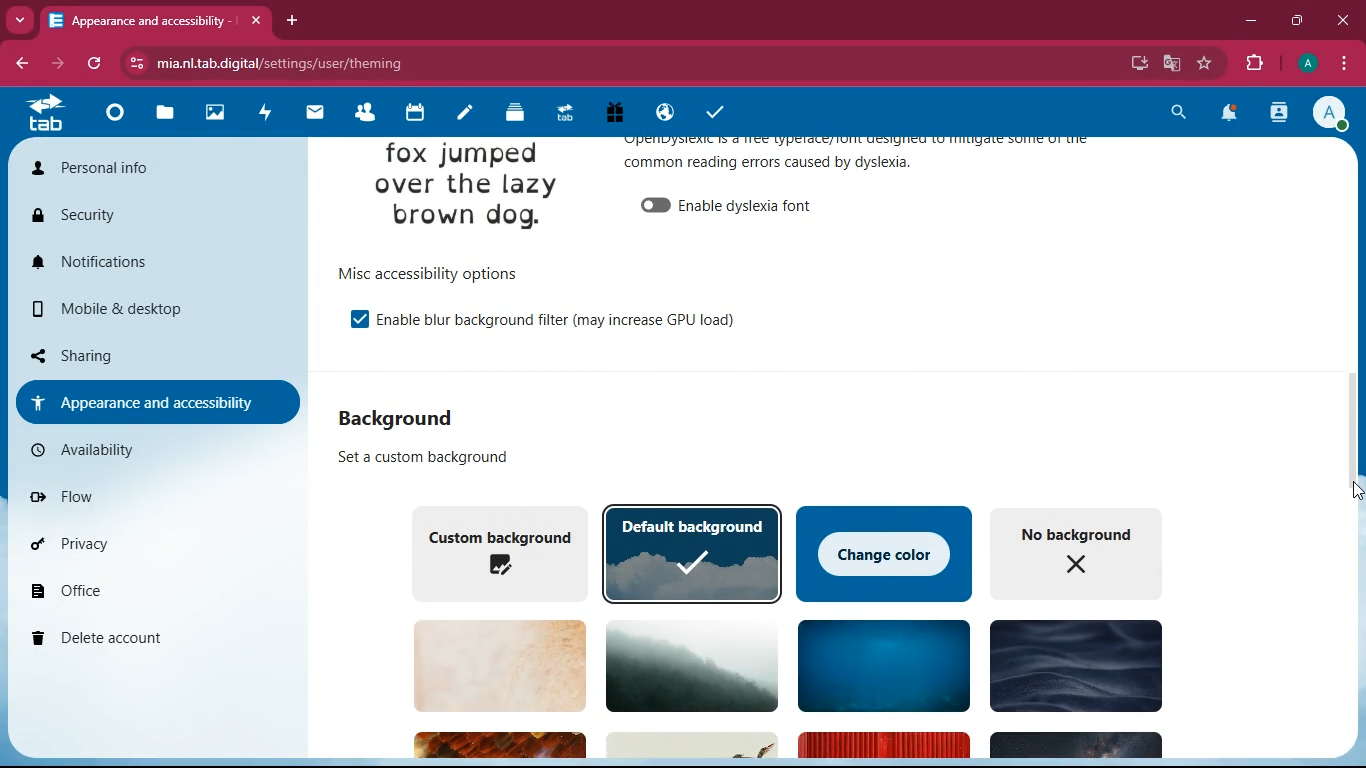 This screenshot has height=768, width=1366. Describe the element at coordinates (1250, 23) in the screenshot. I see `minimize` at that location.